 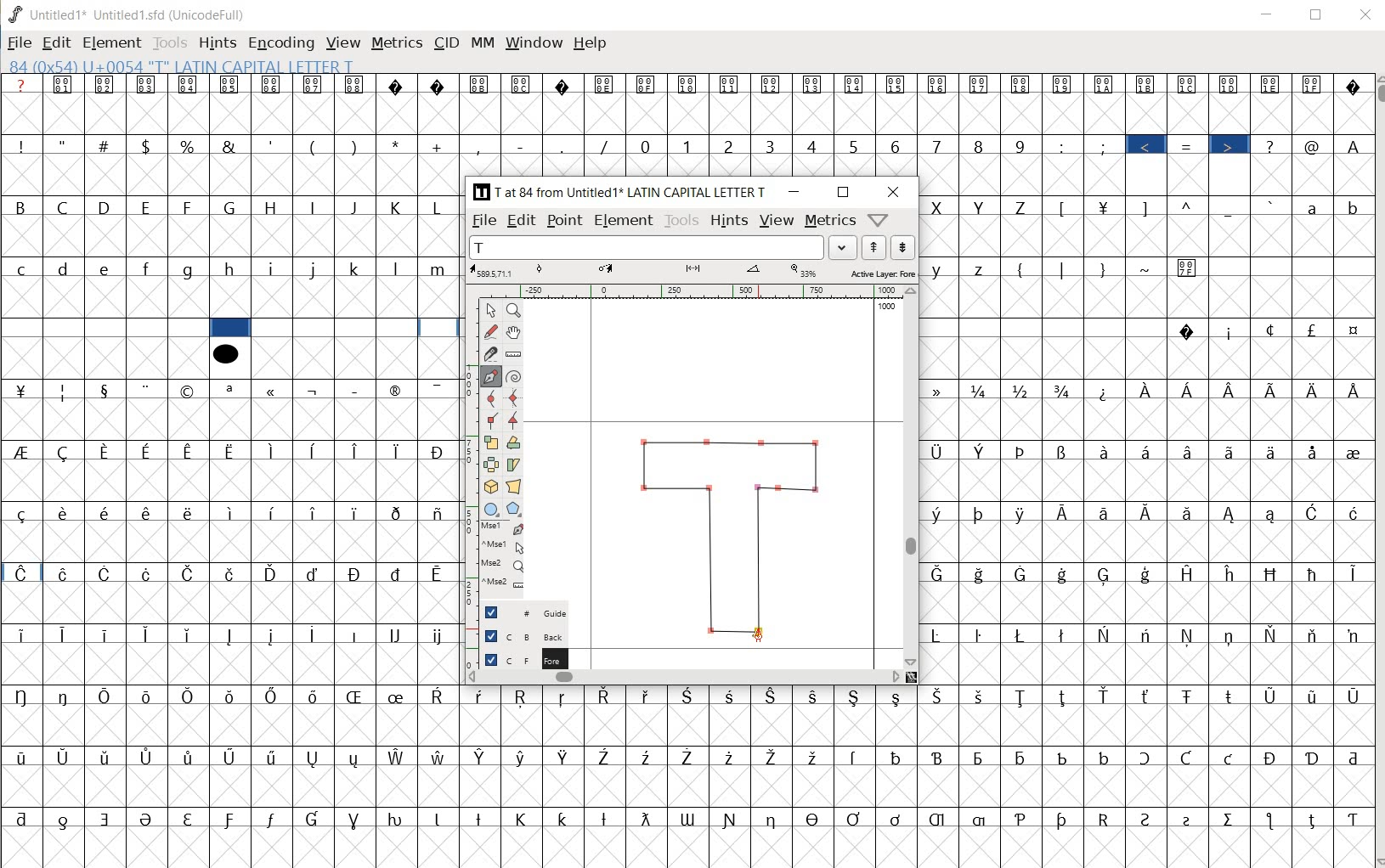 I want to click on K, so click(x=399, y=206).